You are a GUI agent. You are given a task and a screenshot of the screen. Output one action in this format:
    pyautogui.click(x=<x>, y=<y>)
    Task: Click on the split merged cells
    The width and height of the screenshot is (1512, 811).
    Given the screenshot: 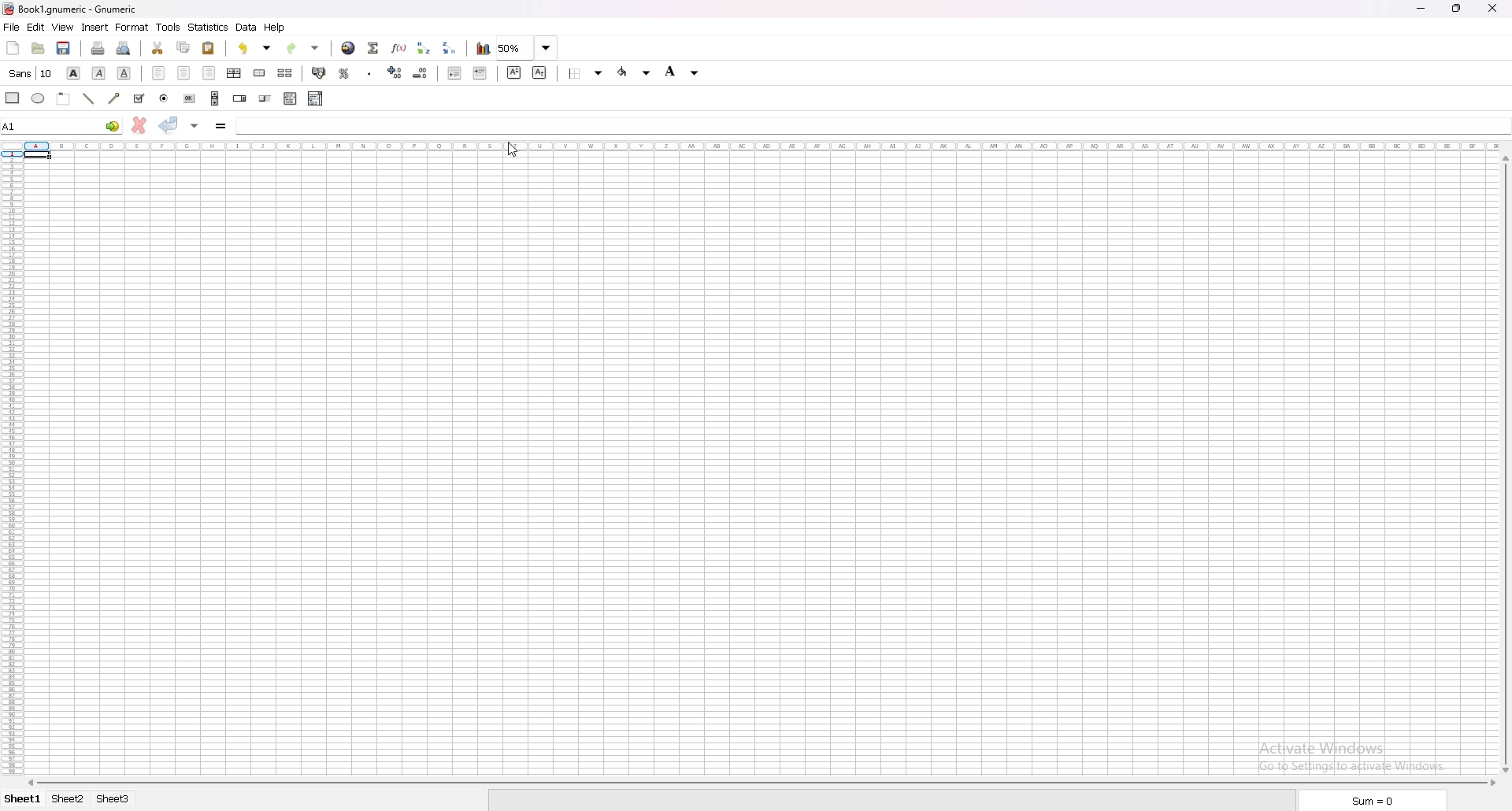 What is the action you would take?
    pyautogui.click(x=285, y=72)
    